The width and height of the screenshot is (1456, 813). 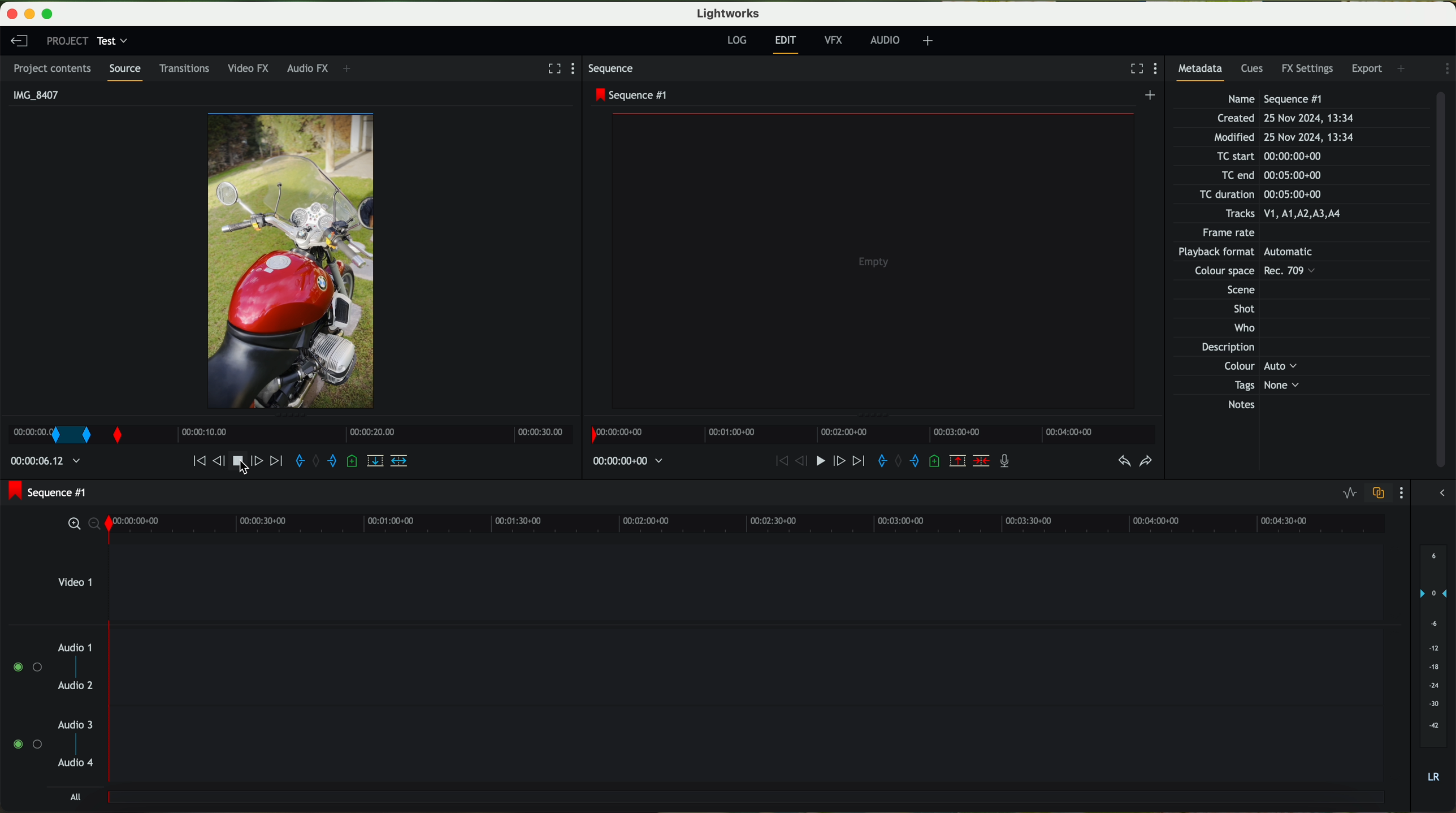 What do you see at coordinates (1255, 405) in the screenshot?
I see `Notes` at bounding box center [1255, 405].